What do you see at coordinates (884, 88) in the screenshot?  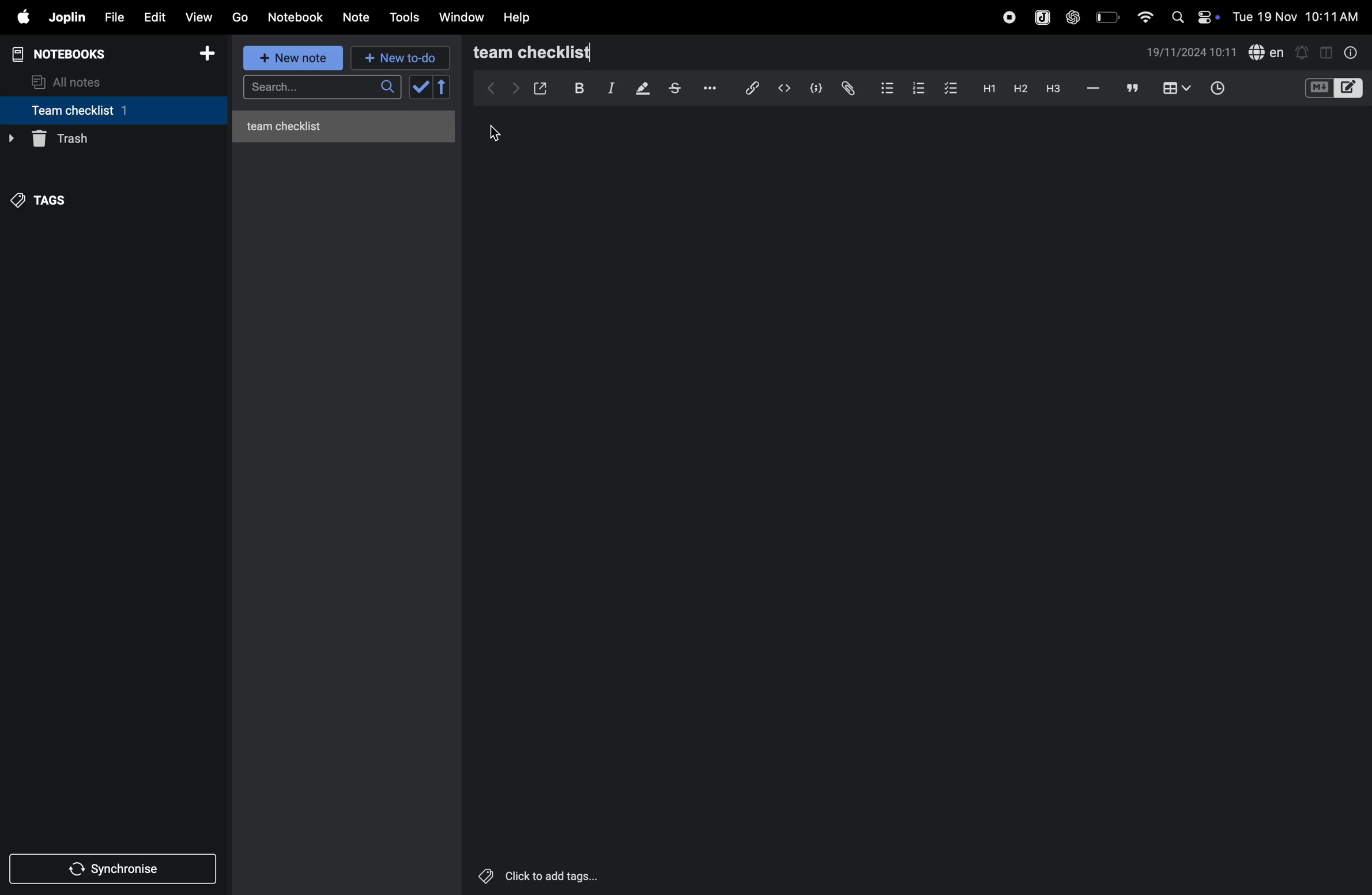 I see `bullet list` at bounding box center [884, 88].